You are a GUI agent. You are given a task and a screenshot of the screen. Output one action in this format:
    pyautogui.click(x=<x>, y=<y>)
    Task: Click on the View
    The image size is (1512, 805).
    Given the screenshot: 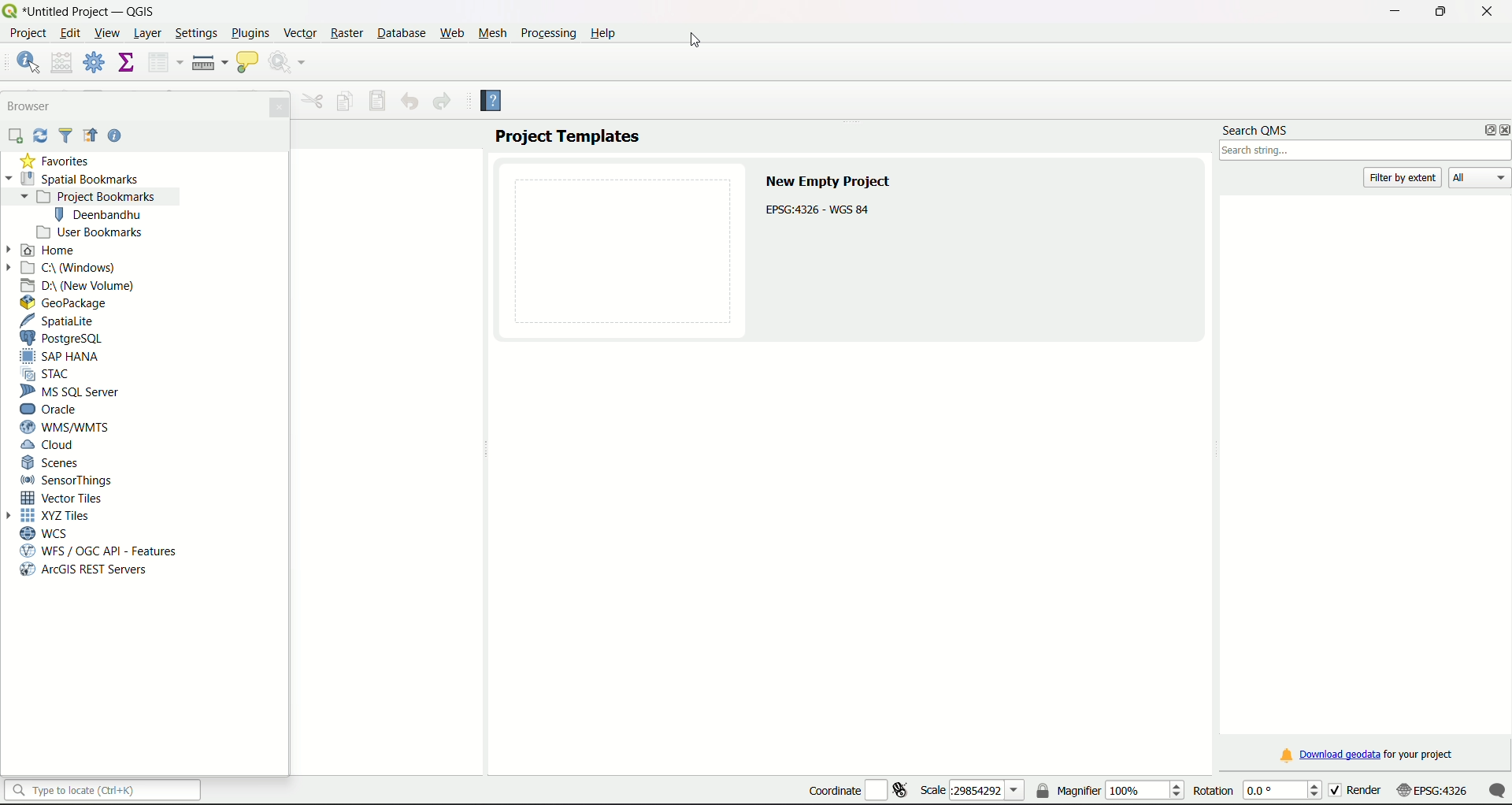 What is the action you would take?
    pyautogui.click(x=109, y=35)
    